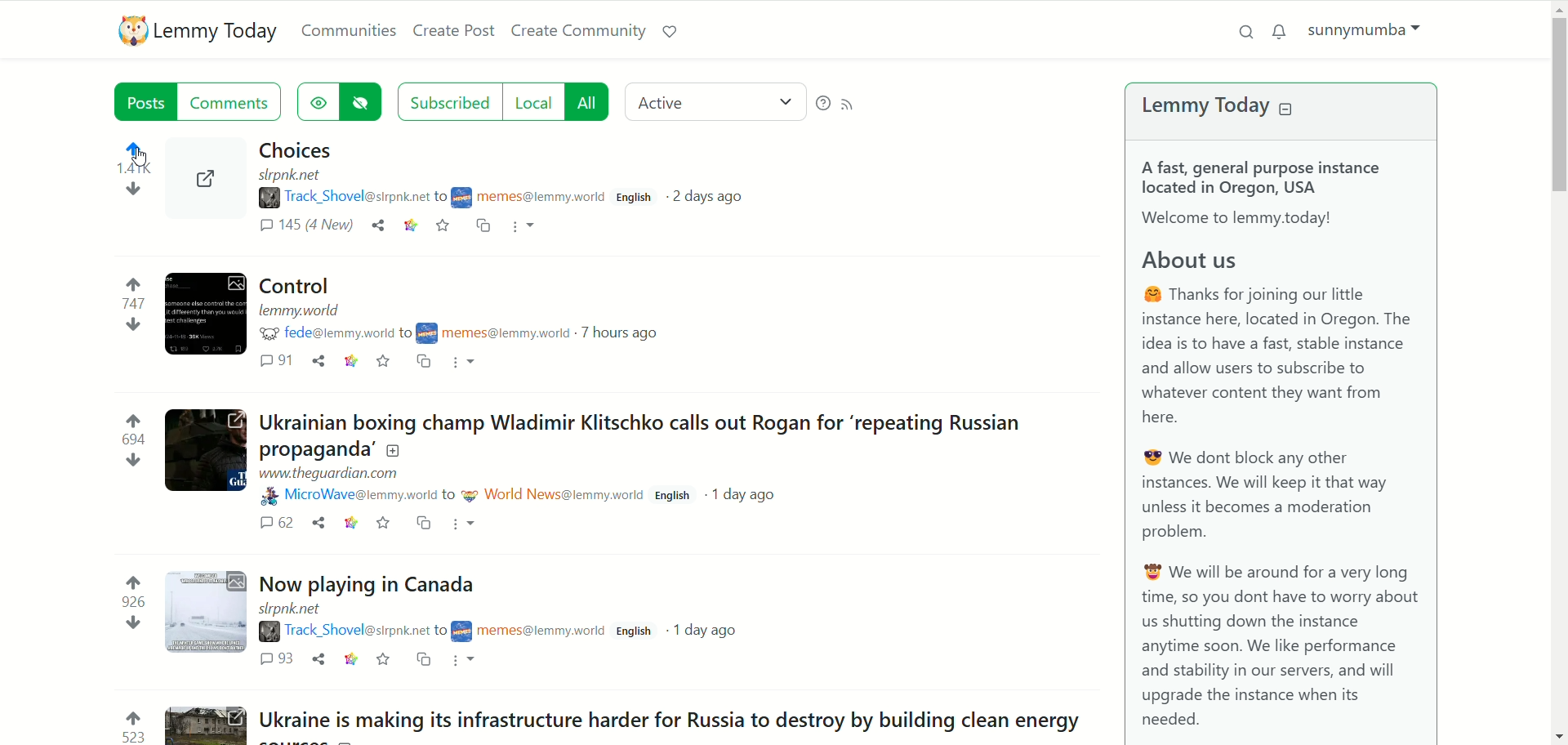  Describe the element at coordinates (132, 442) in the screenshot. I see `694` at that location.